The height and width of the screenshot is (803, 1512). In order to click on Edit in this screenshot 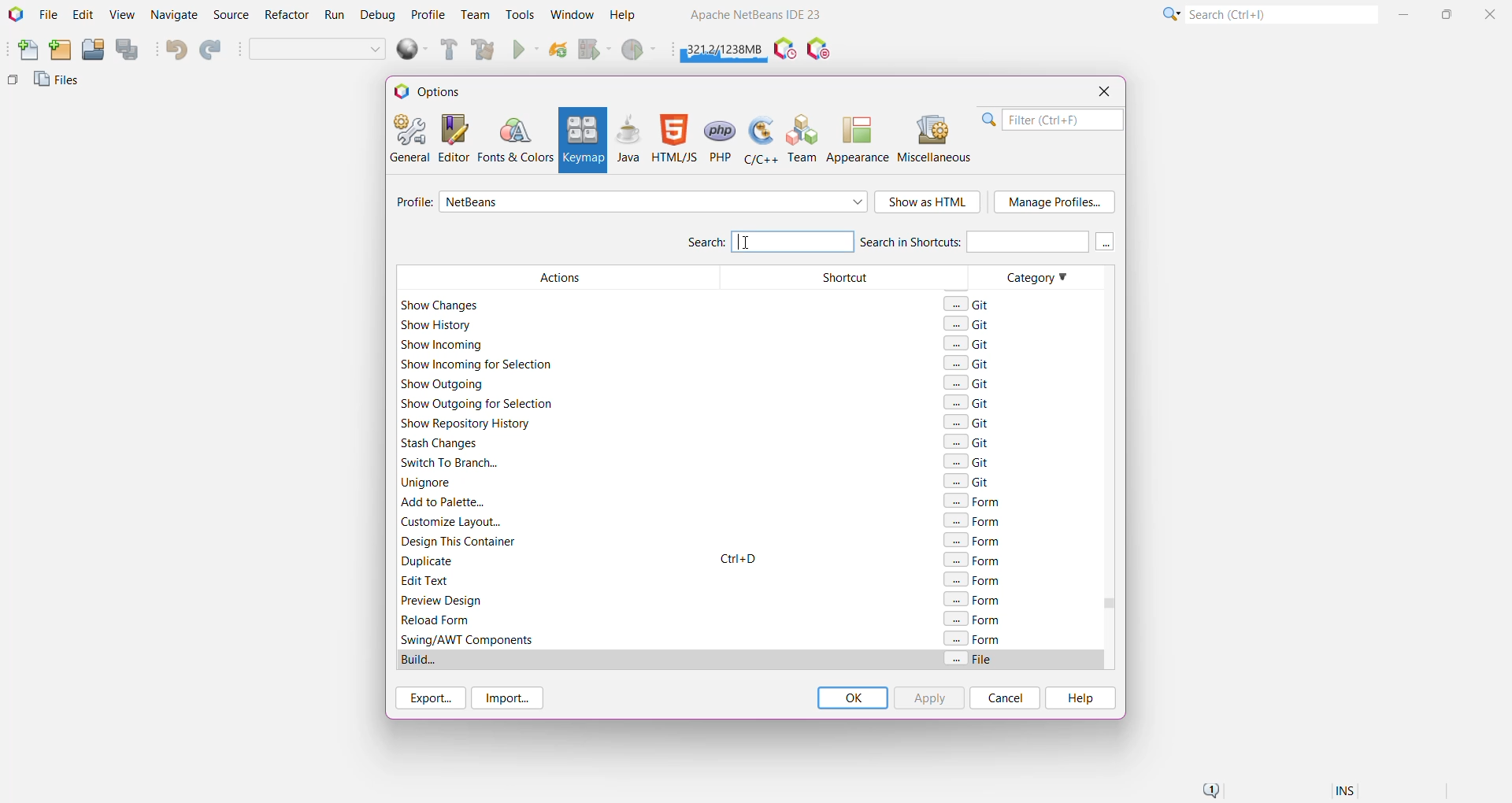, I will do `click(83, 16)`.